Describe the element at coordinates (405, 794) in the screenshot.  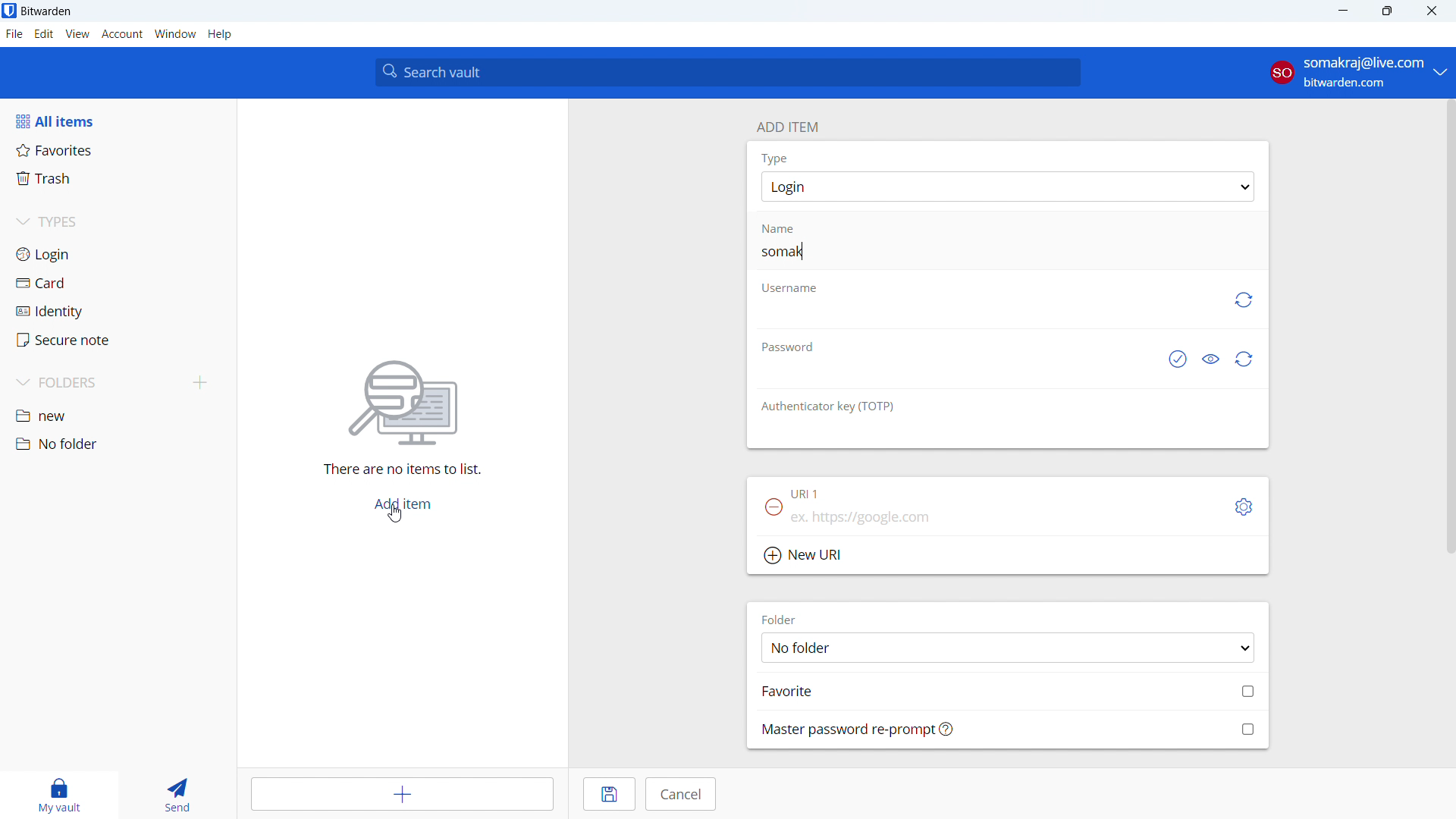
I see `add item` at that location.